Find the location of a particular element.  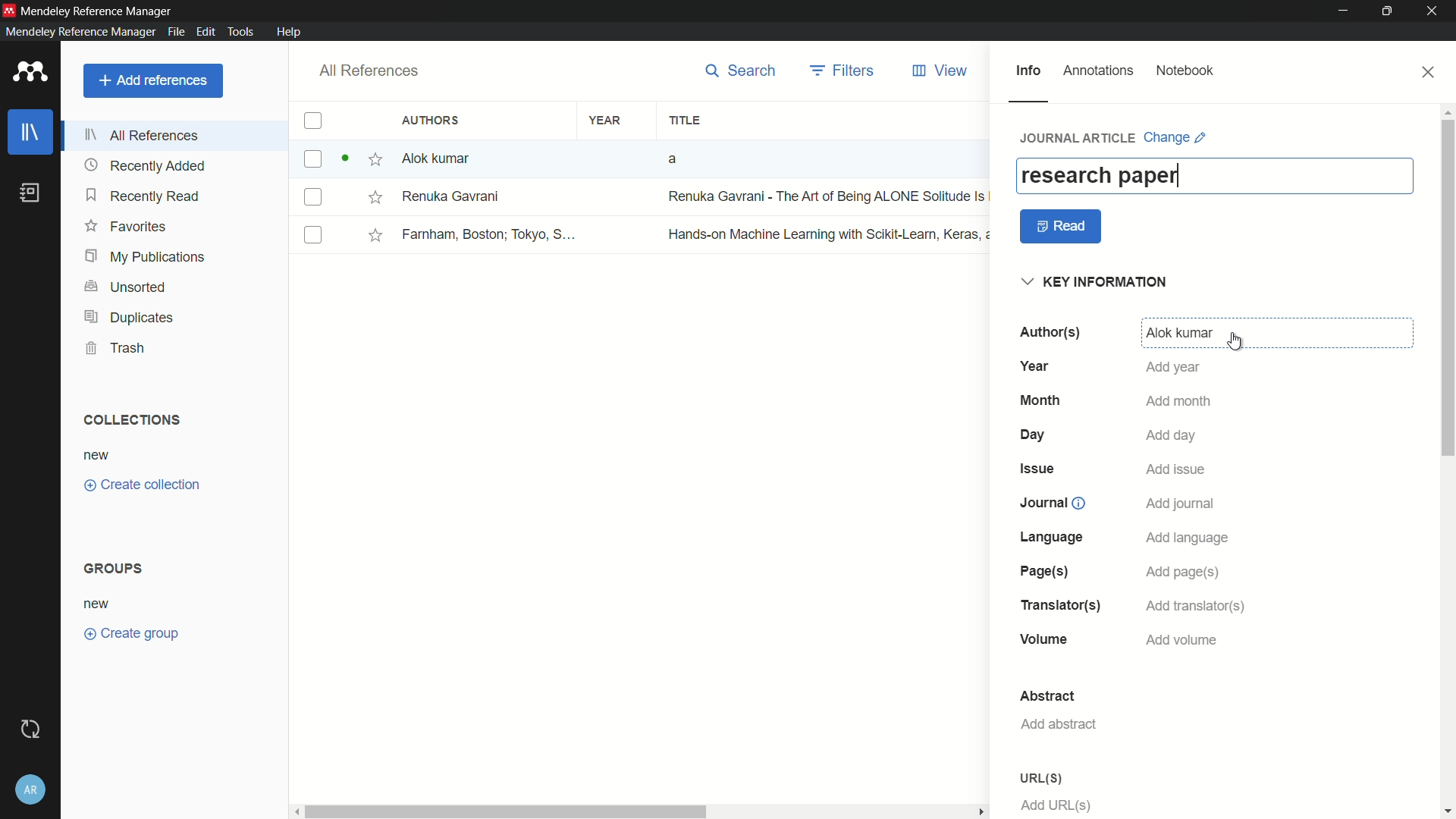

key information is located at coordinates (1097, 283).